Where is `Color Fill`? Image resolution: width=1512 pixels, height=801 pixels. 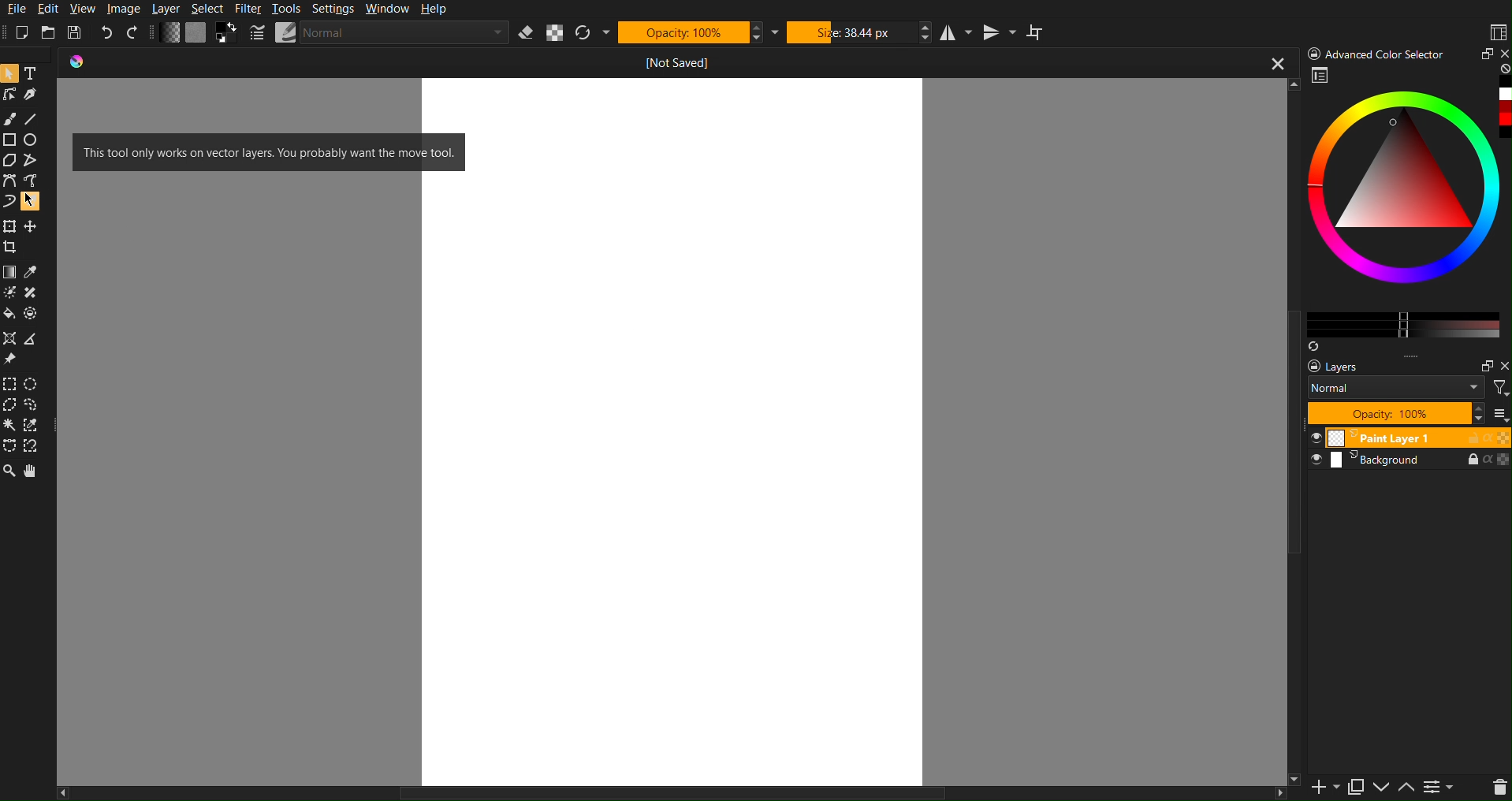
Color Fill is located at coordinates (11, 317).